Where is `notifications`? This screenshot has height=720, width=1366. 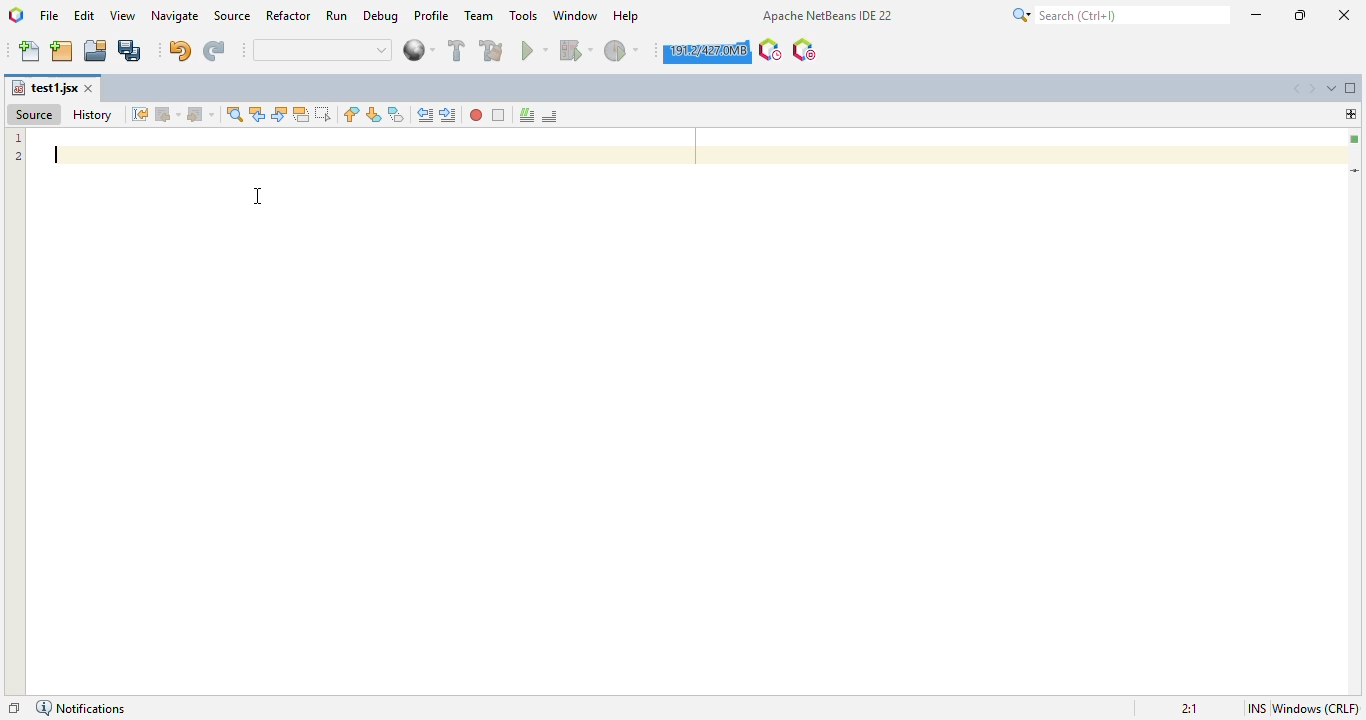
notifications is located at coordinates (82, 708).